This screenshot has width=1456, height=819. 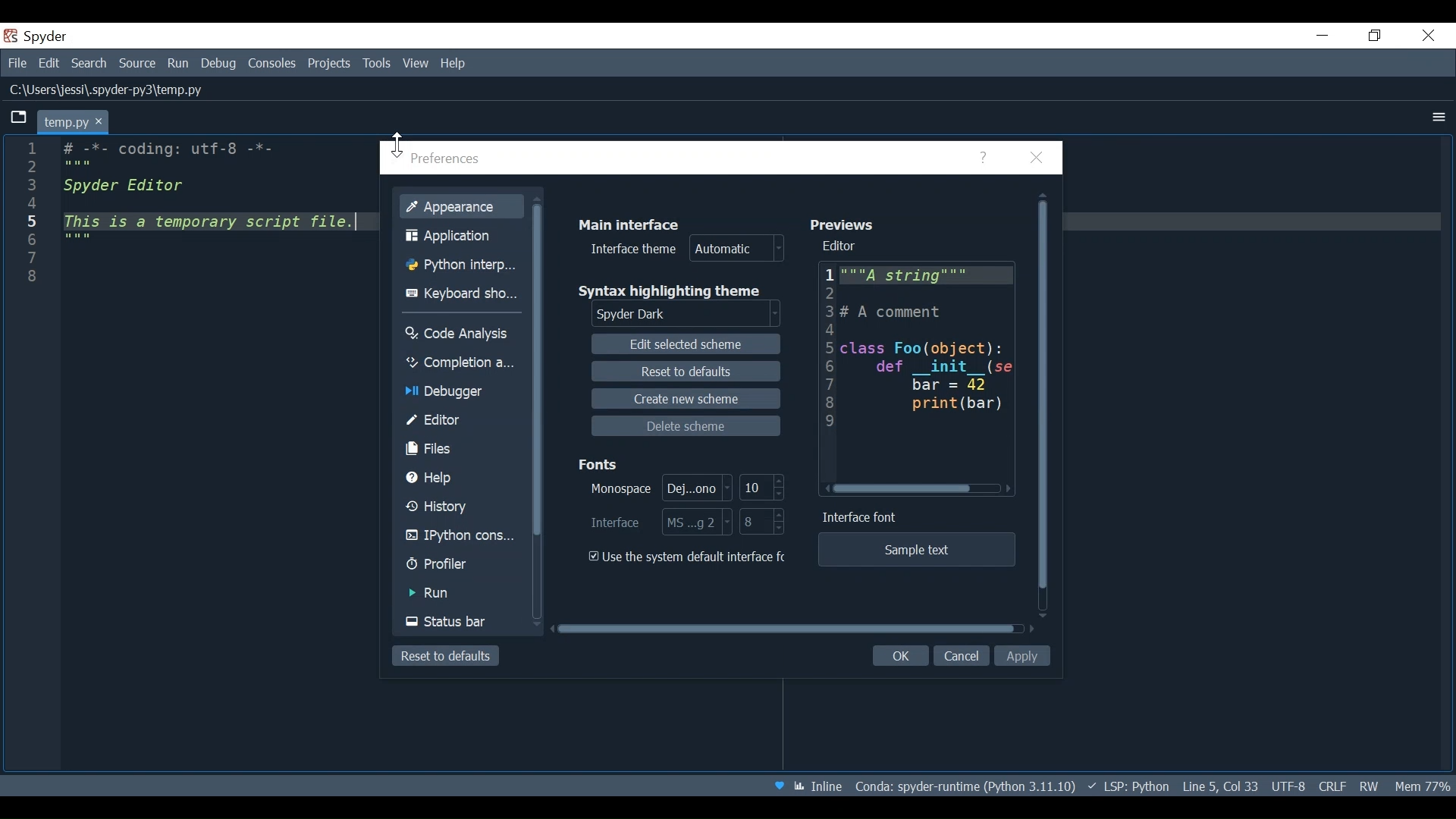 I want to click on Preview of the Editor, so click(x=917, y=371).